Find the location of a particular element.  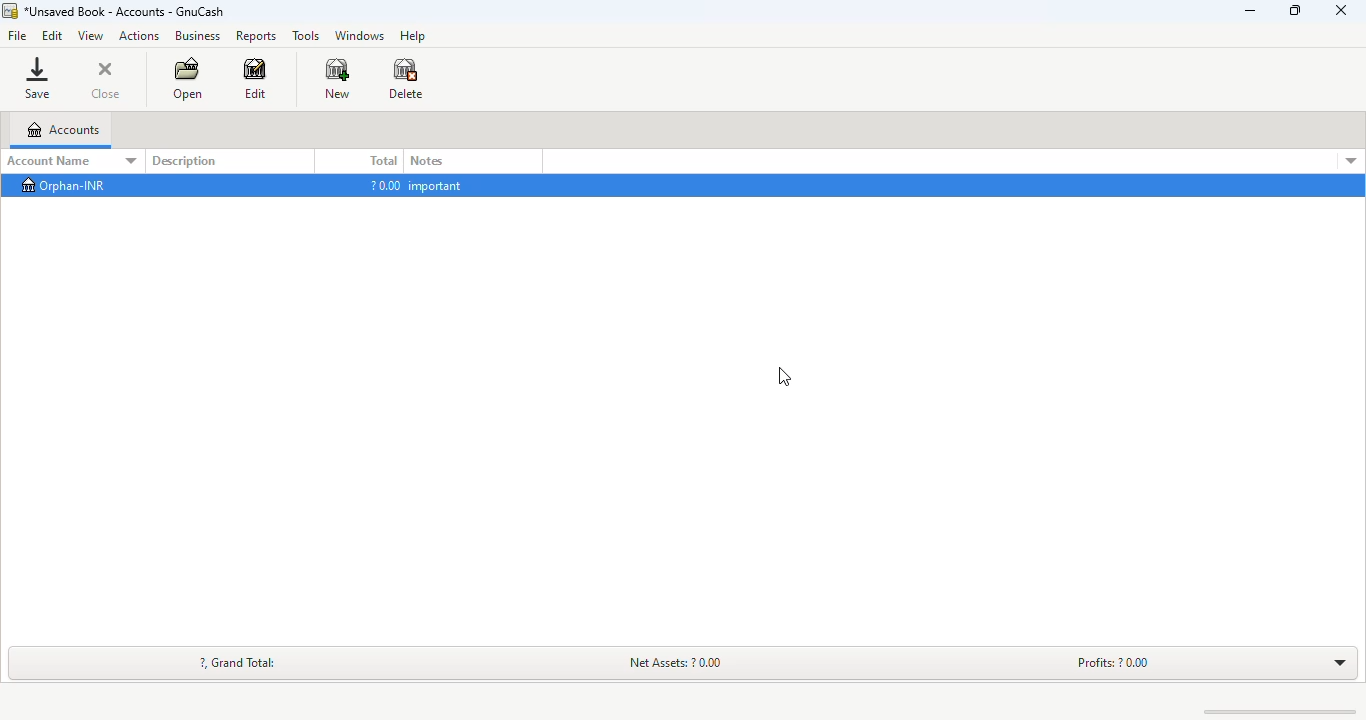

save is located at coordinates (38, 78).